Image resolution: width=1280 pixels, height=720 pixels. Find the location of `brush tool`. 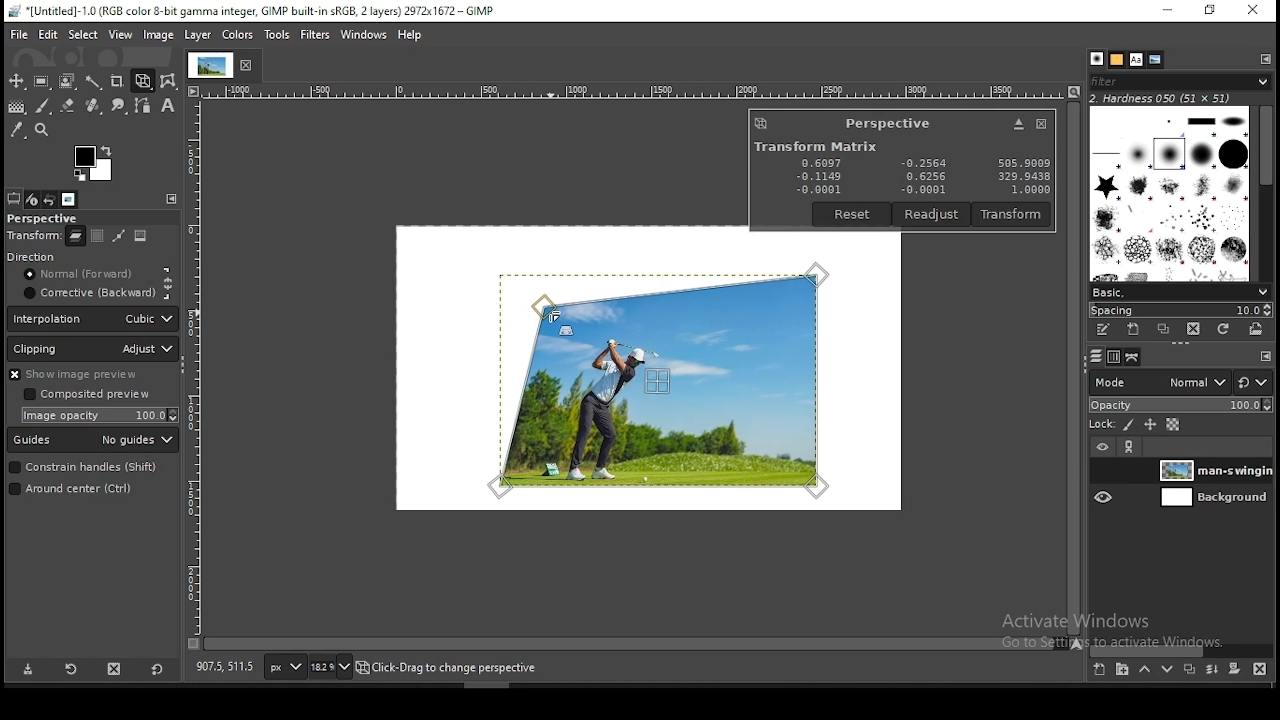

brush tool is located at coordinates (44, 105).